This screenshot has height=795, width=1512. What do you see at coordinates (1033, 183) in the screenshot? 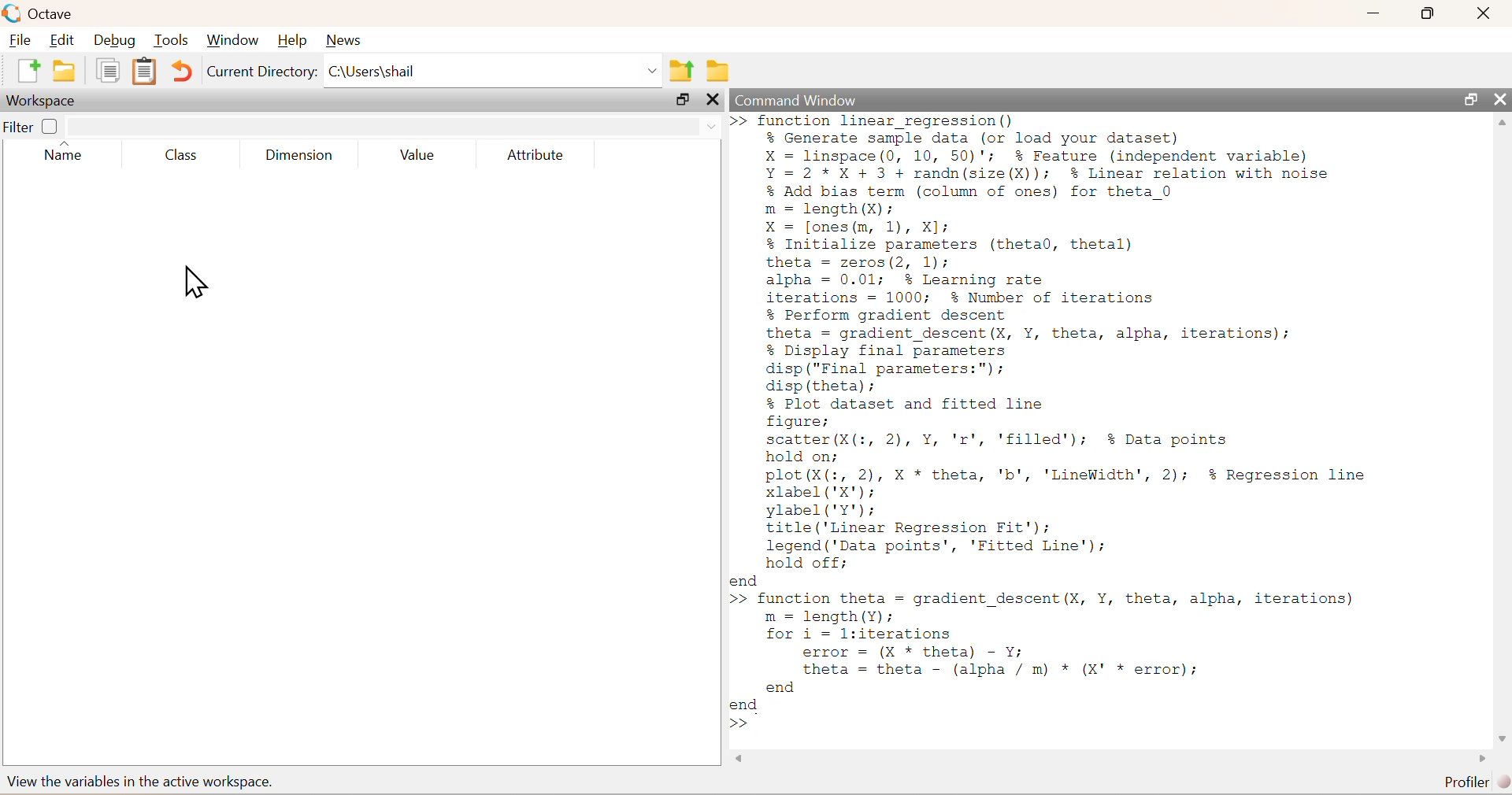
I see `>>function linear regression()% Generate sample data (or load your dataset)X = linspace(0, 10, 50)'; % Feature (independent variable)Y=2*X+ 3 + randn(size(X)); % Linear relation with noise% Add bias term (column of ones) for theta 0m = length (X):X = [ones (m, 1), X];% Initialize parameters (theta0, thetal)` at bounding box center [1033, 183].